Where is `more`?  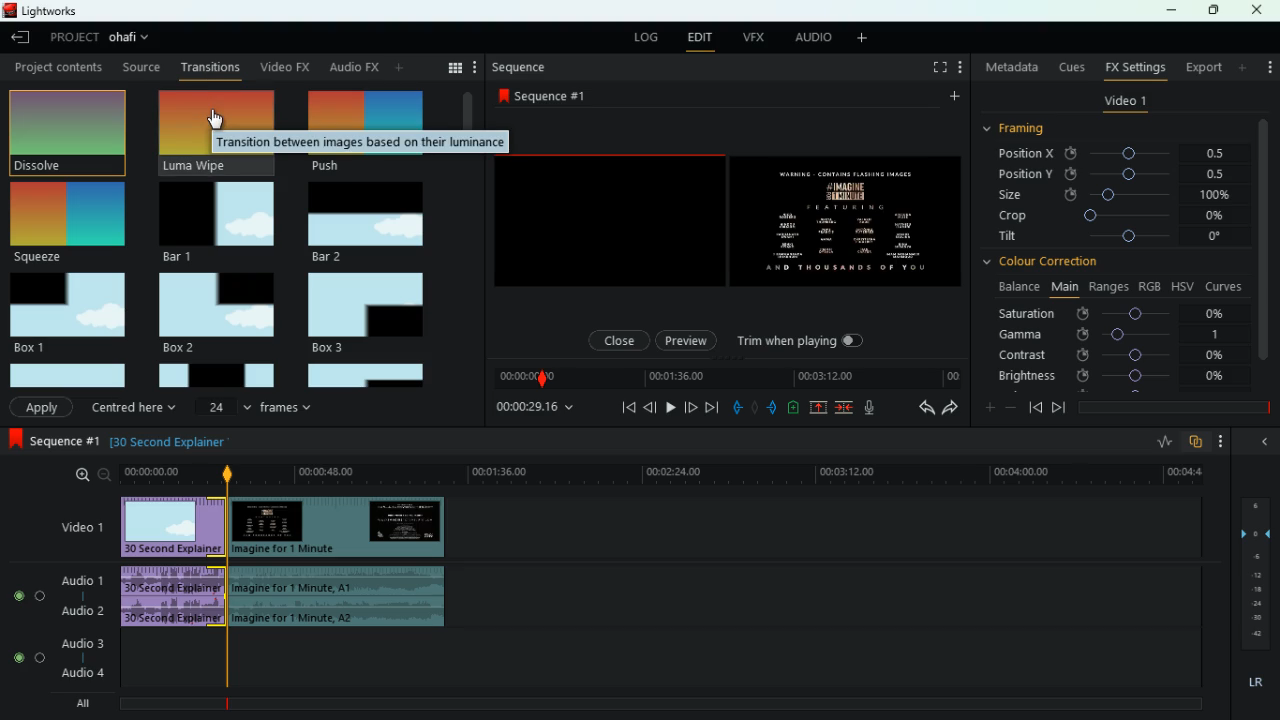
more is located at coordinates (1244, 67).